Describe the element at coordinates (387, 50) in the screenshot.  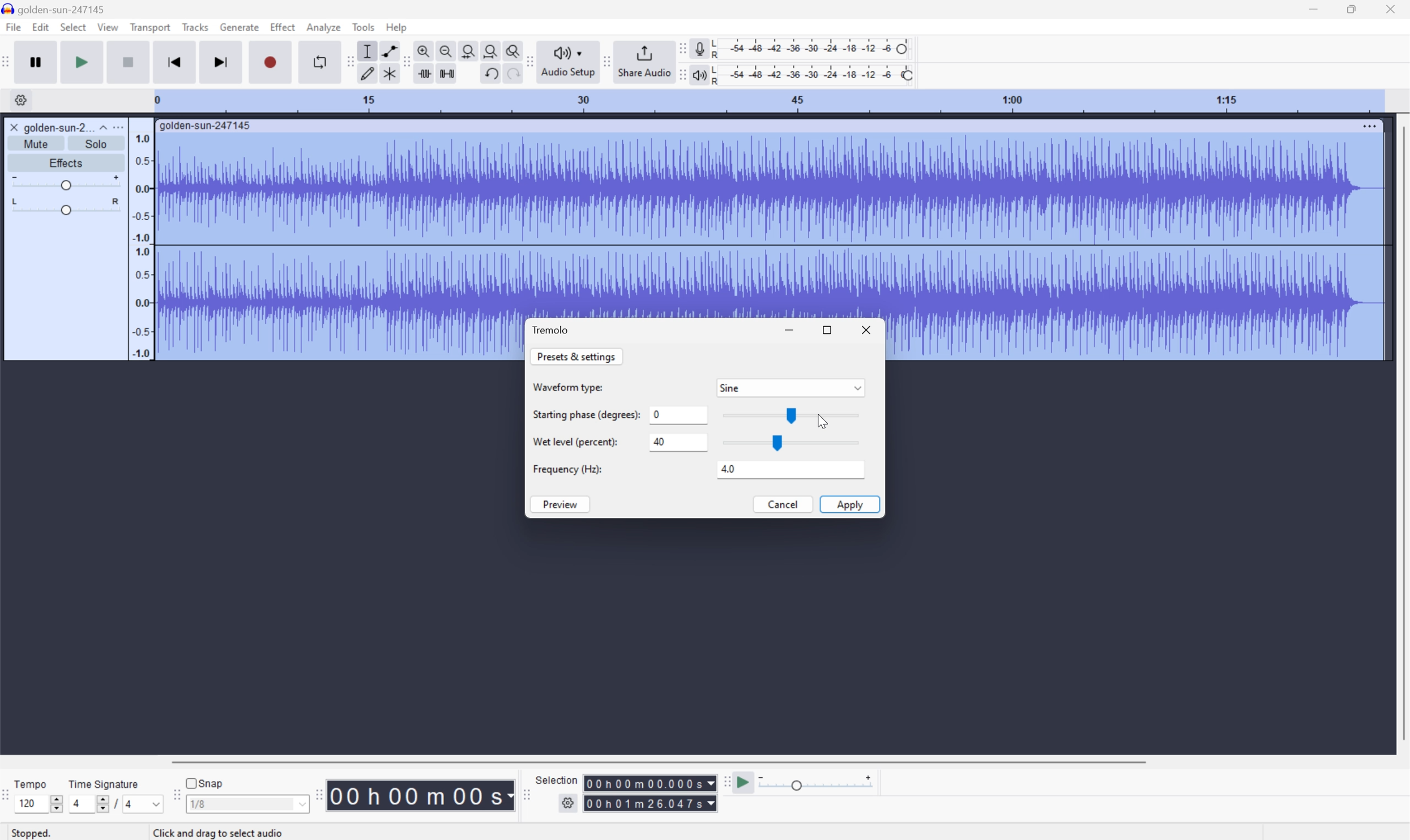
I see `Envelop tool` at that location.